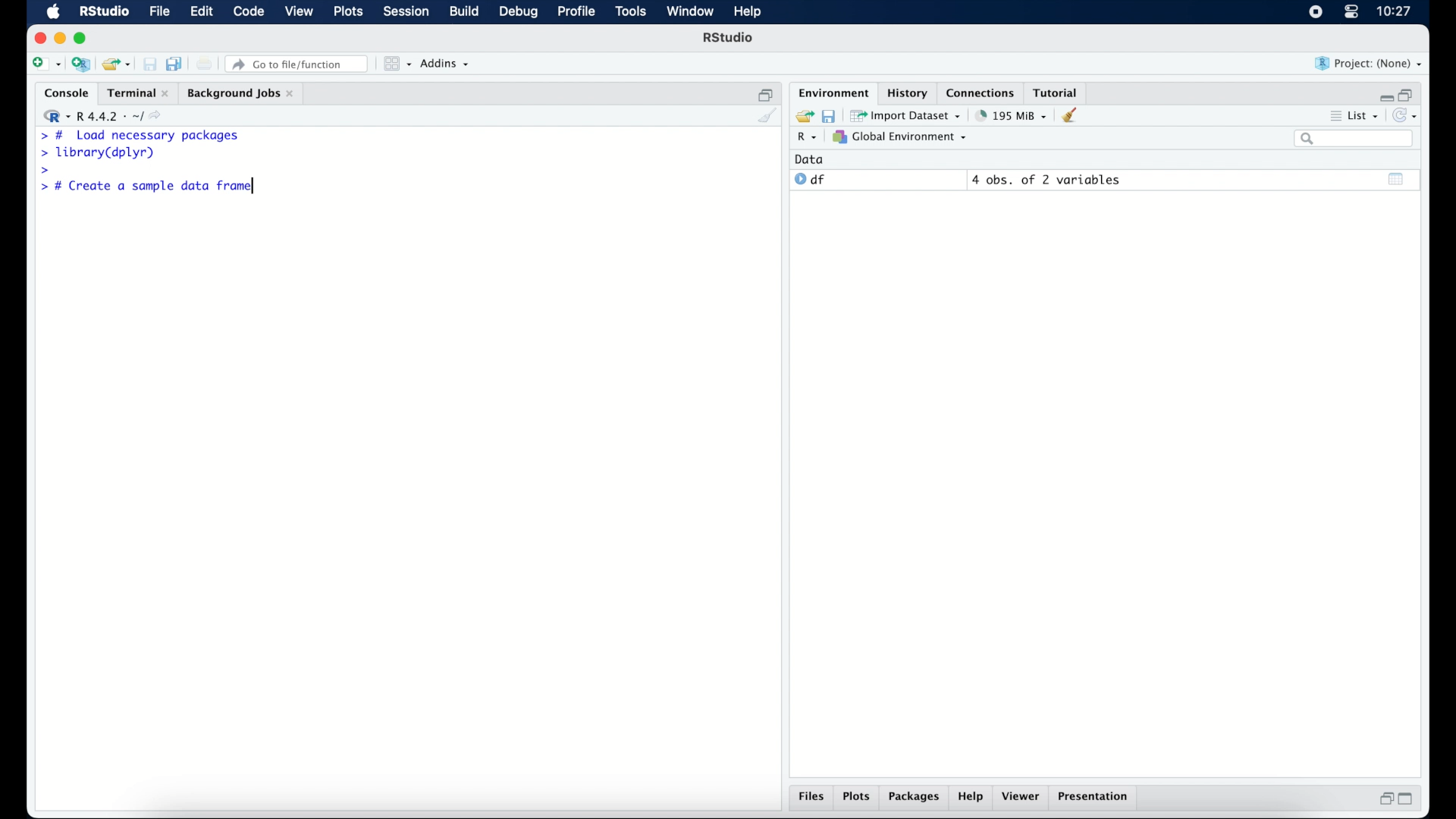  I want to click on tutorial, so click(1059, 92).